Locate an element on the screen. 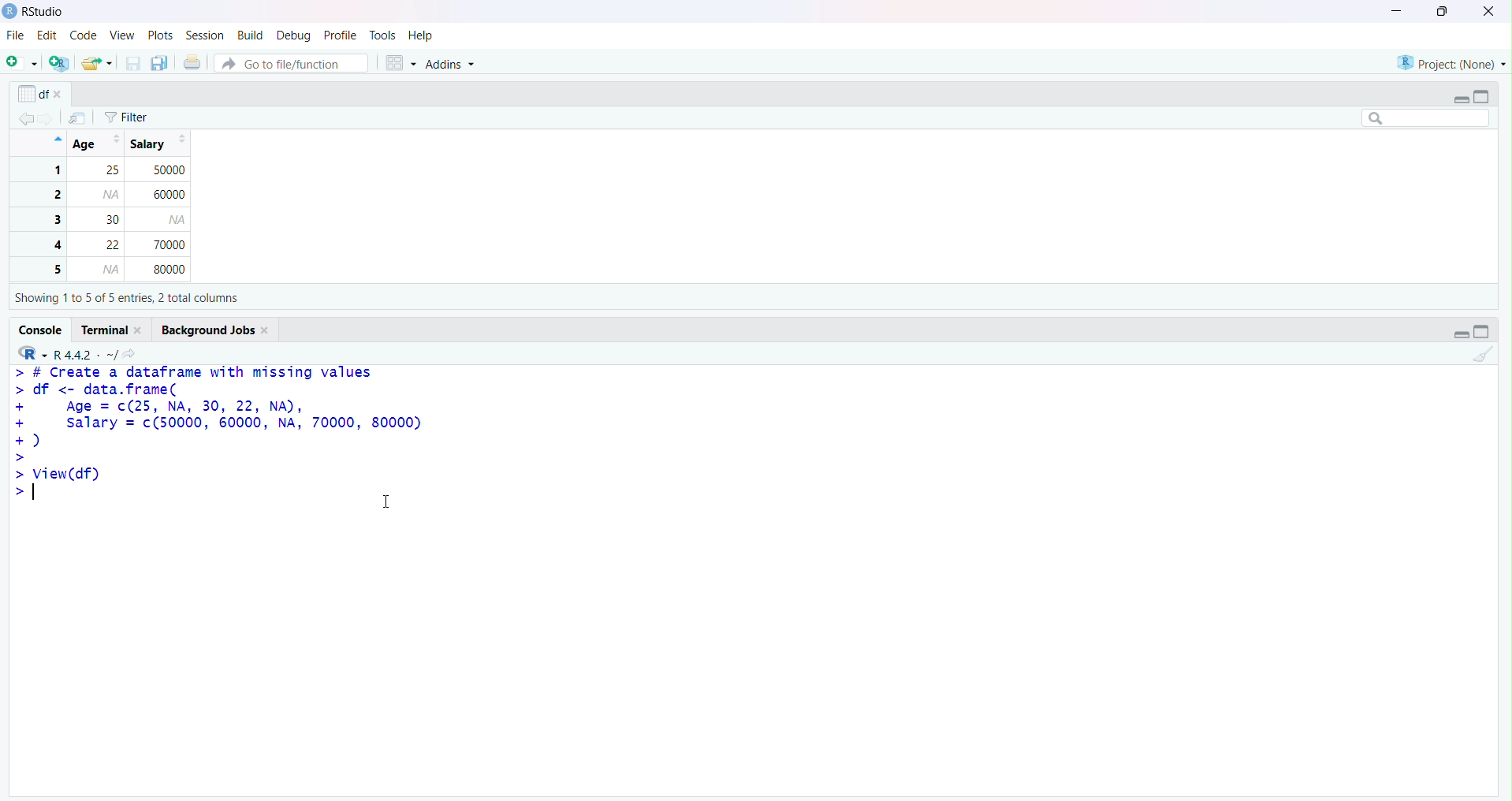 Image resolution: width=1512 pixels, height=801 pixels. Text cursor is located at coordinates (394, 498).